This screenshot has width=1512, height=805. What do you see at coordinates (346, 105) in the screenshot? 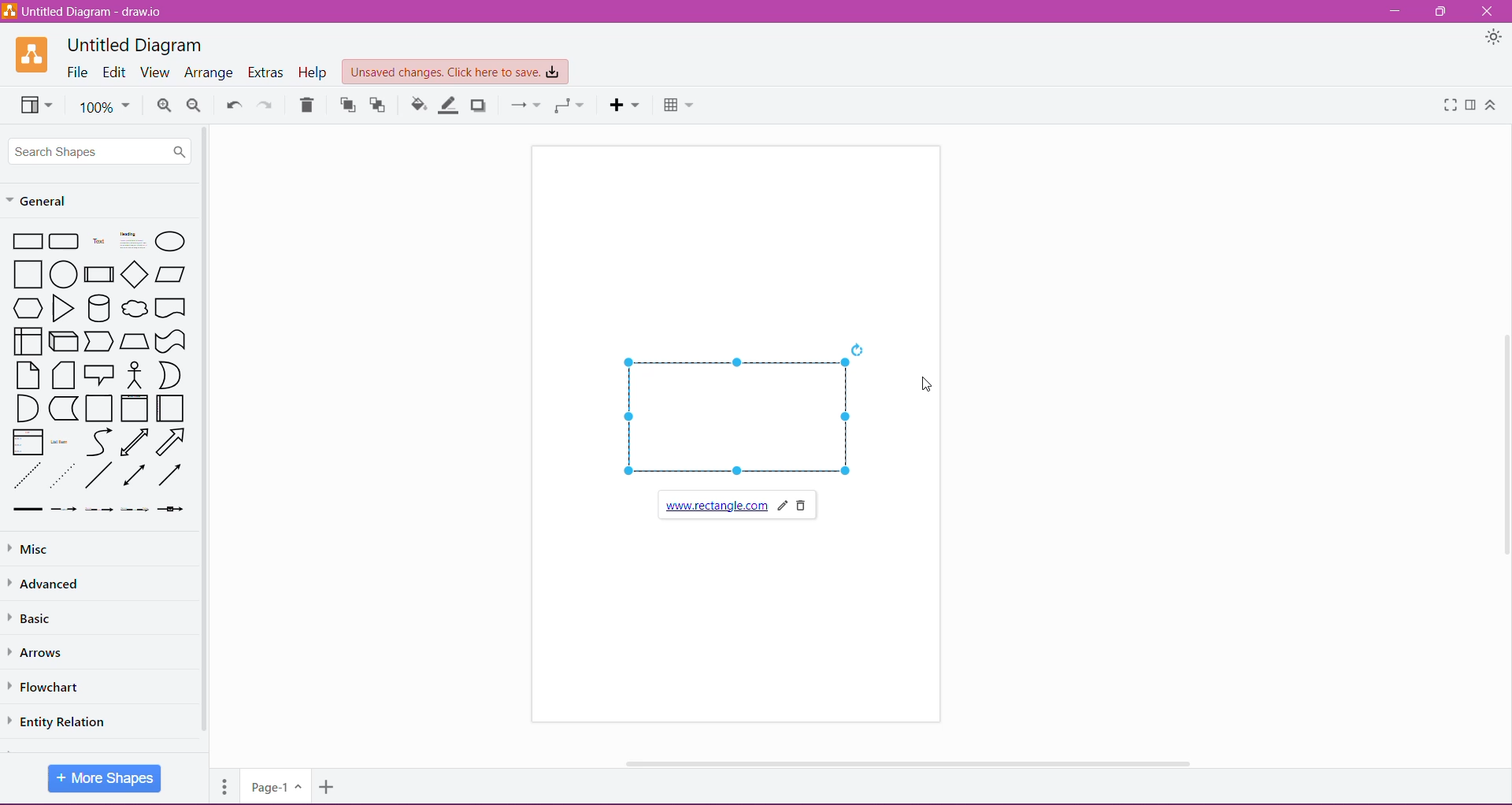
I see `To Front` at bounding box center [346, 105].